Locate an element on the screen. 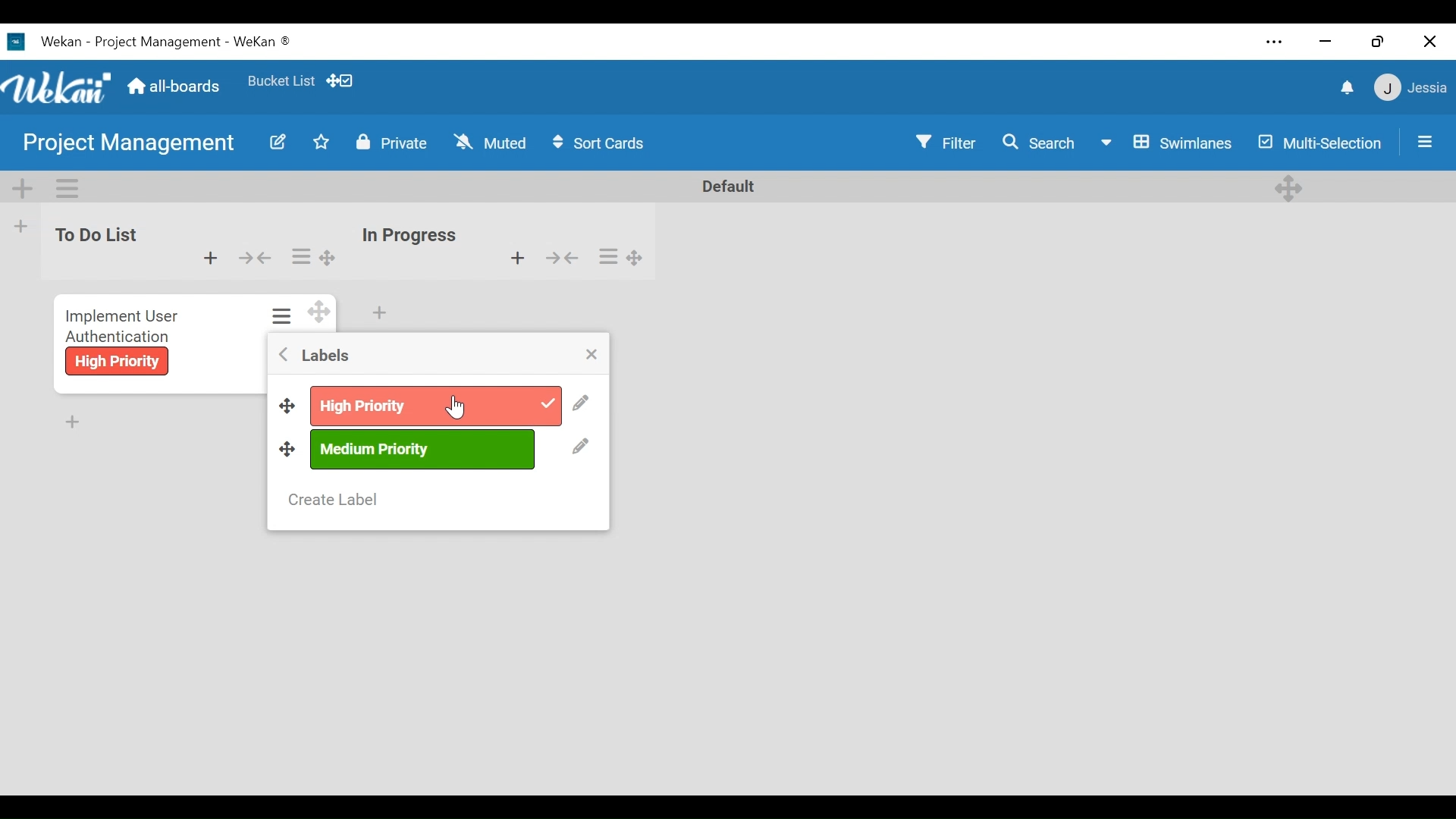 The image size is (1456, 819). Wekan - Project Management - WeKan ® is located at coordinates (169, 42).